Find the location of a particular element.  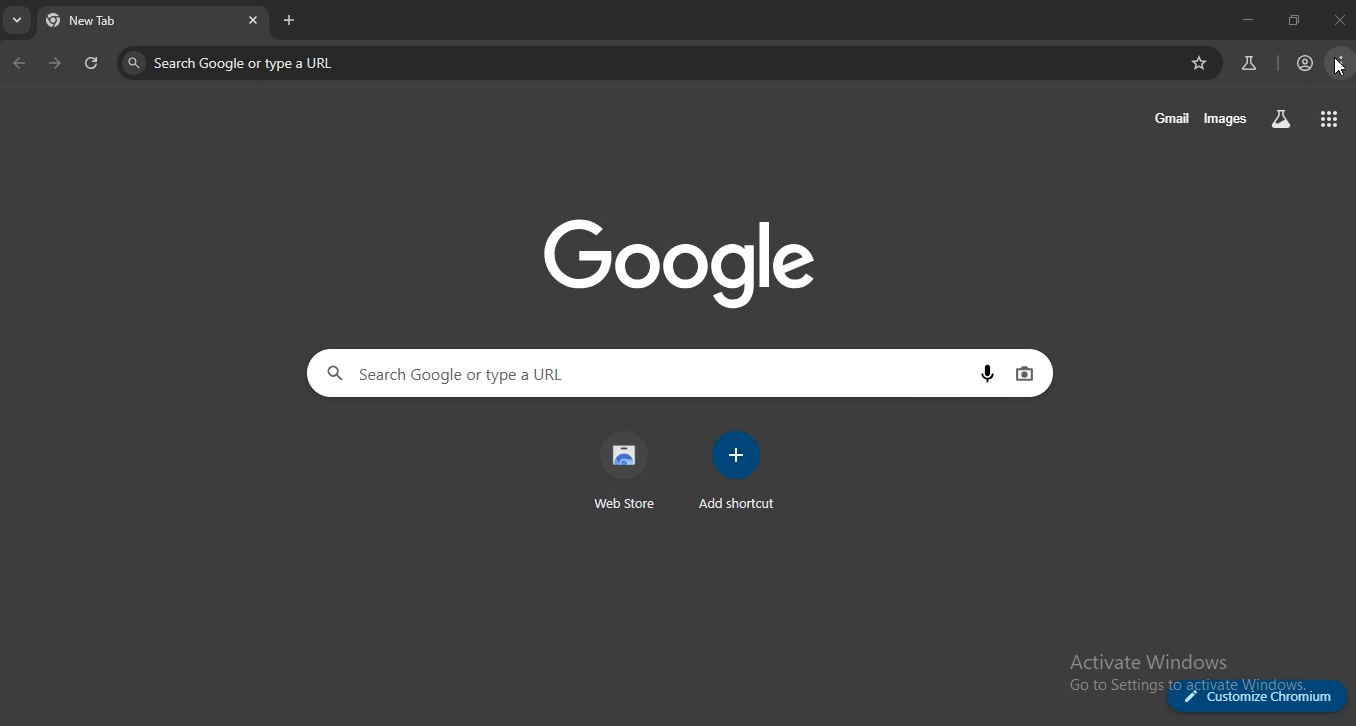

search google or type a url is located at coordinates (534, 374).